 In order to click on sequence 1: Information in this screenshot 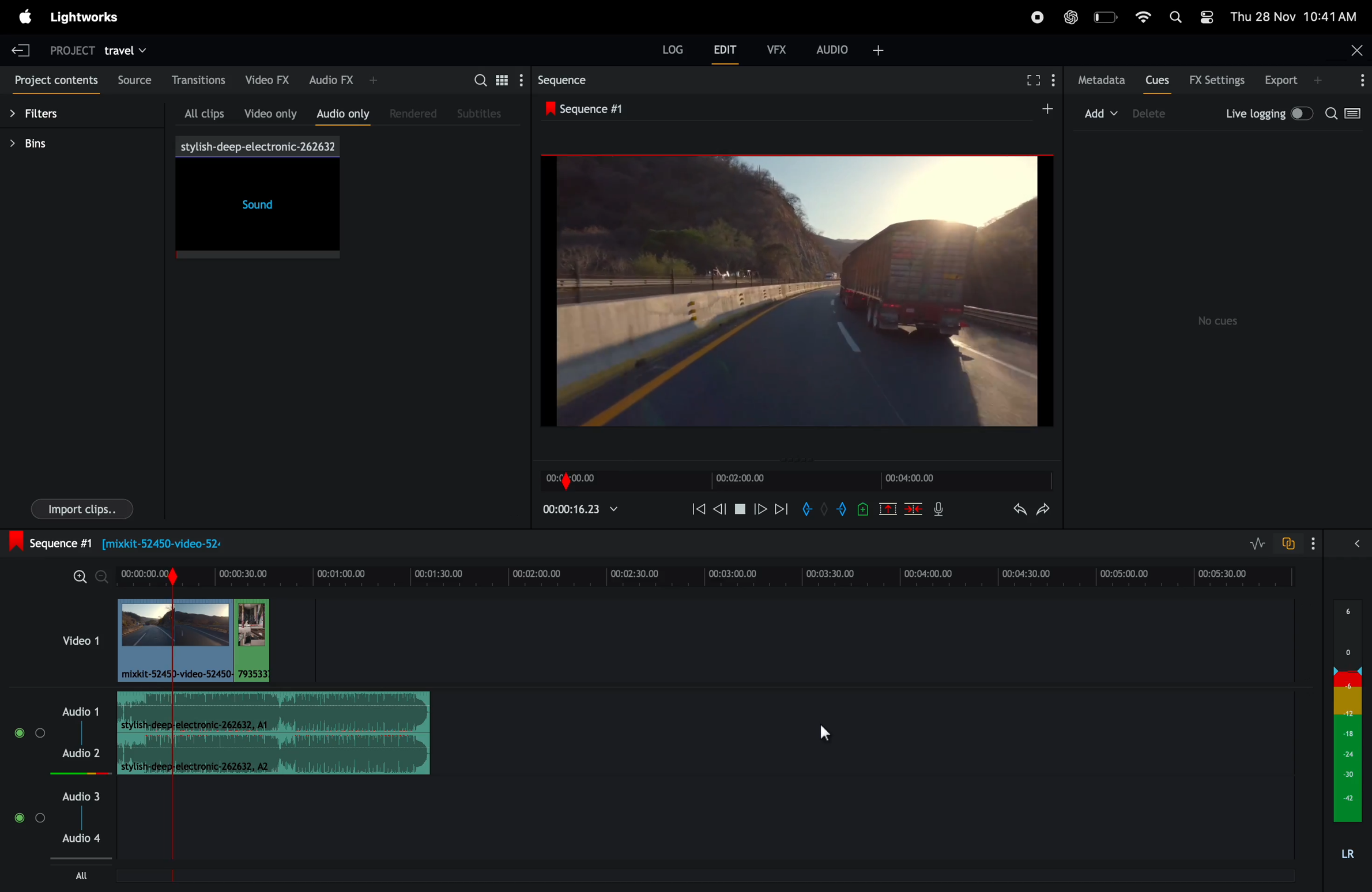, I will do `click(531, 542)`.